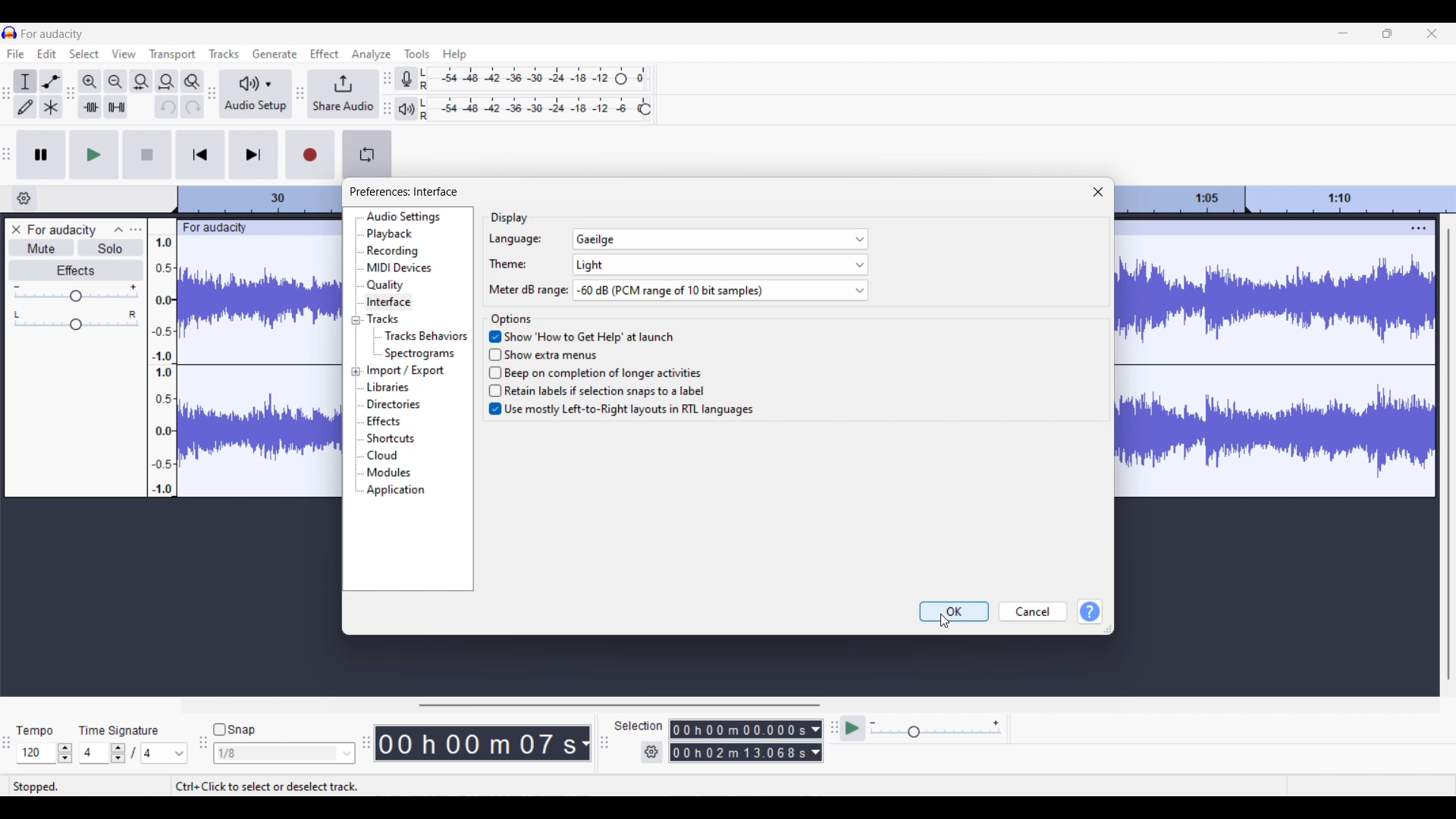  Describe the element at coordinates (388, 303) in the screenshot. I see `Interface, current selection highlighted` at that location.